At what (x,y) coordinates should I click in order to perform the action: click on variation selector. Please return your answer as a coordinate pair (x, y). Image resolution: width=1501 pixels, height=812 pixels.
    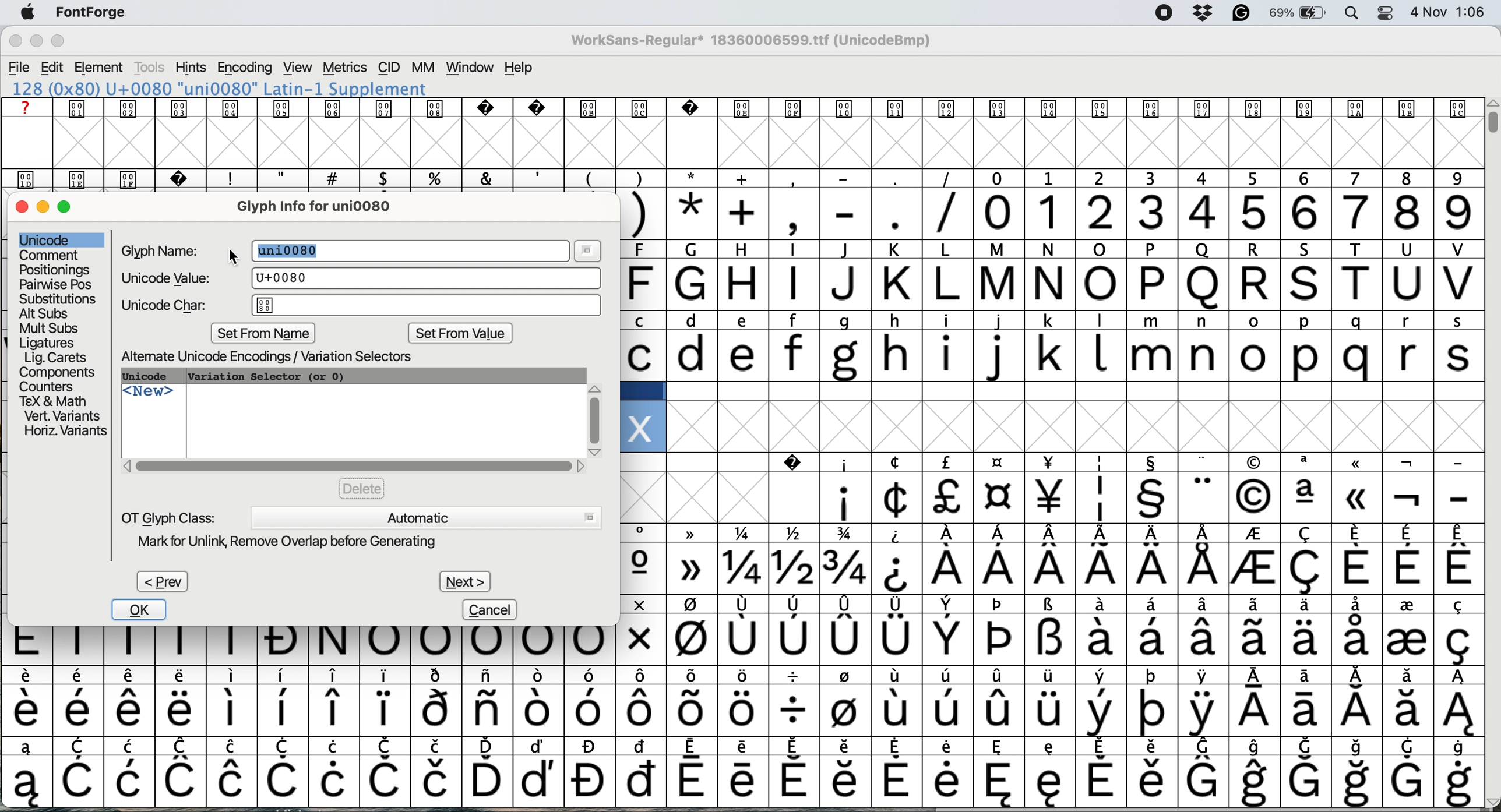
    Looking at the image, I should click on (267, 376).